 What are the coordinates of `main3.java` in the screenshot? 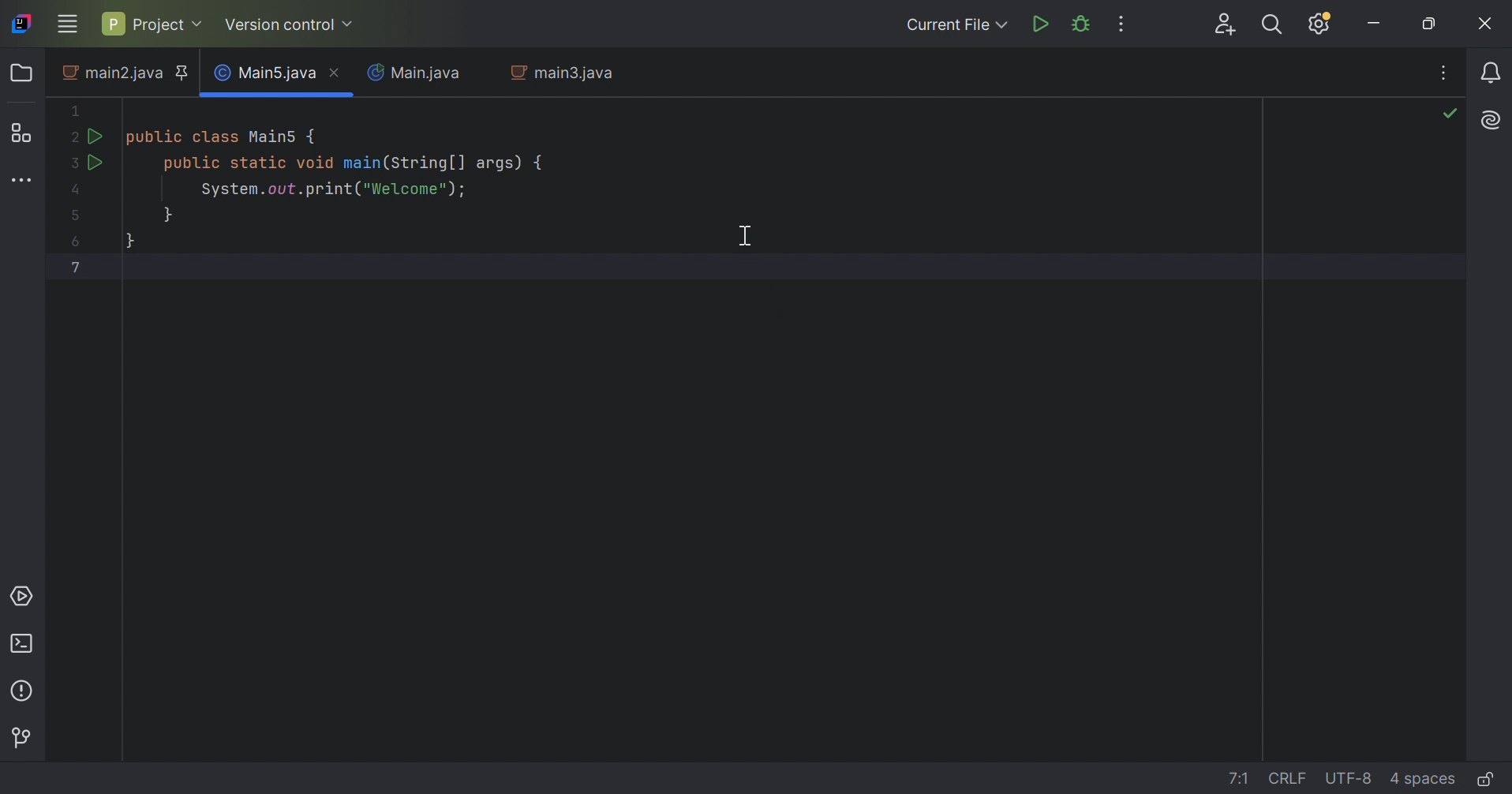 It's located at (560, 73).